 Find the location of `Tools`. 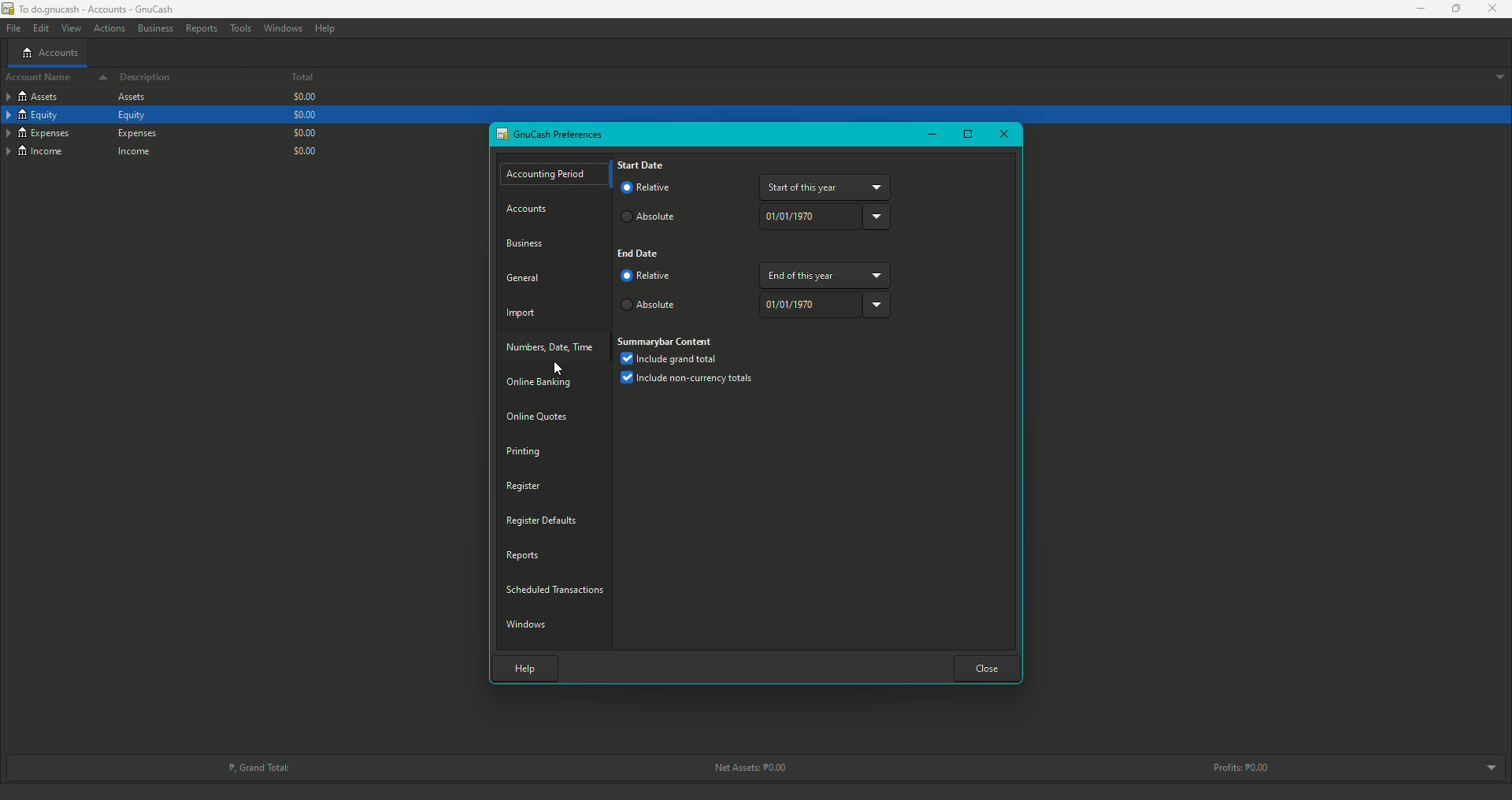

Tools is located at coordinates (240, 28).